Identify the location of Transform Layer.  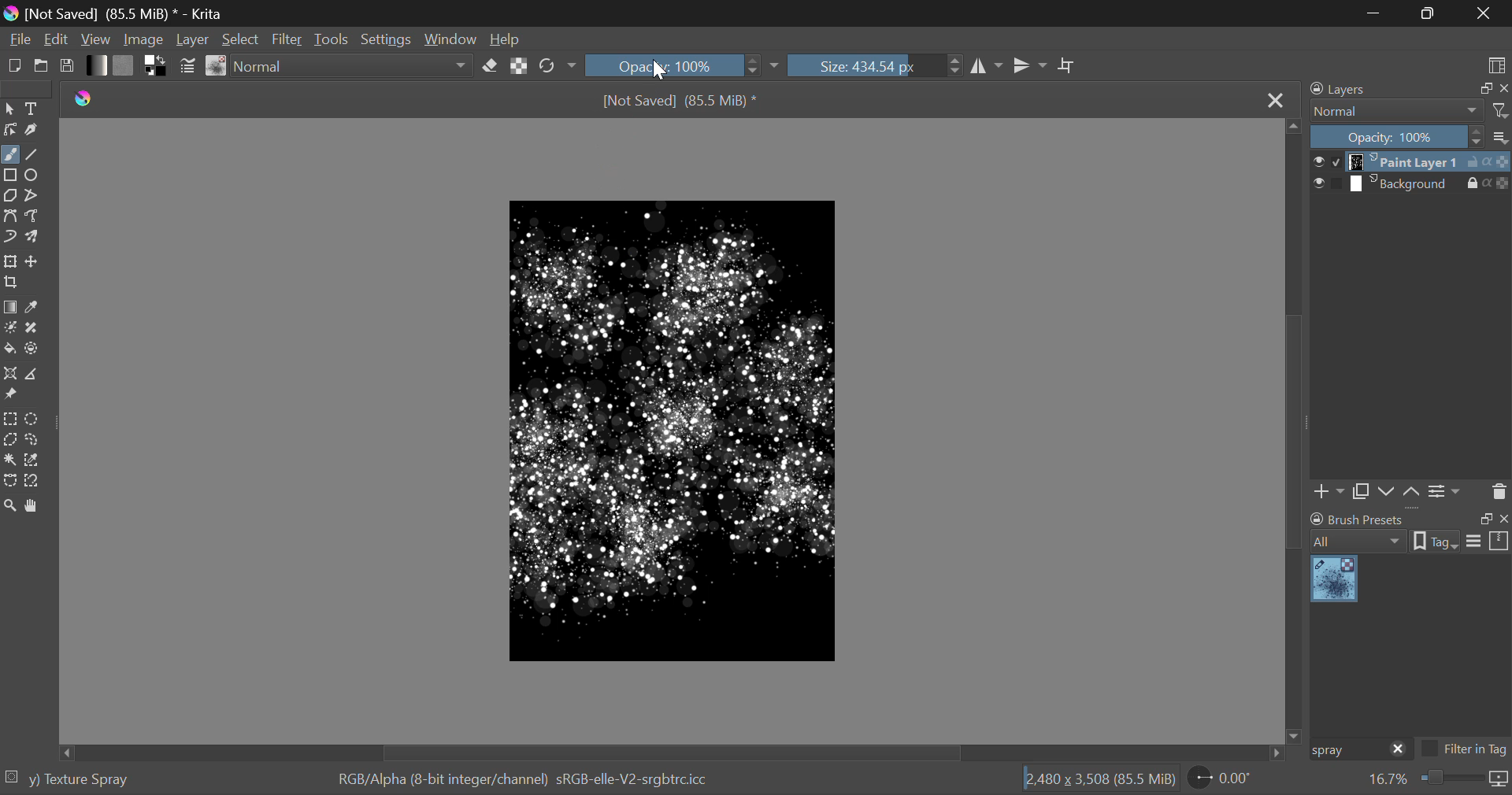
(10, 261).